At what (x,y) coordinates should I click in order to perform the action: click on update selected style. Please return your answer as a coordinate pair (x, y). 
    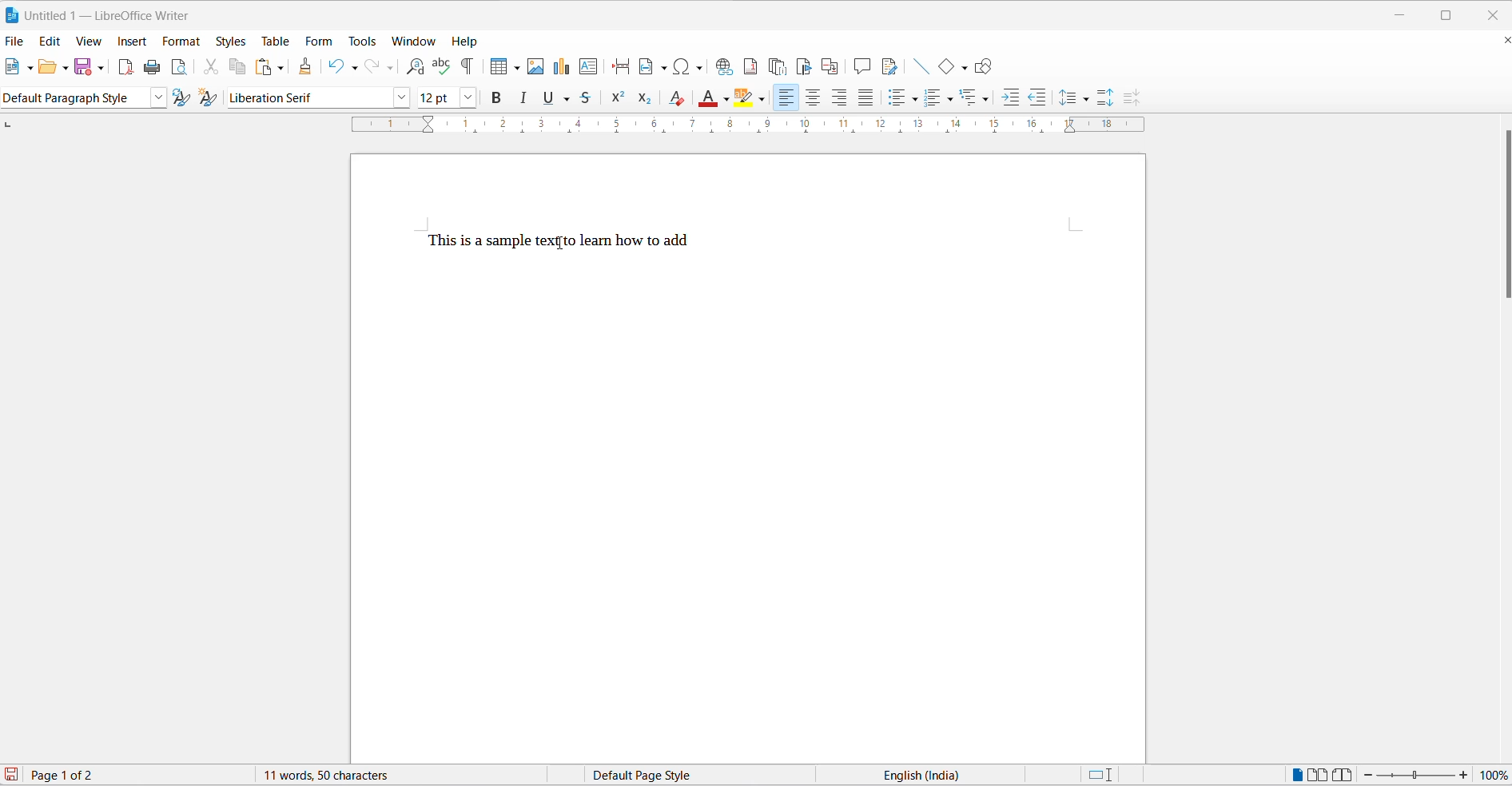
    Looking at the image, I should click on (180, 97).